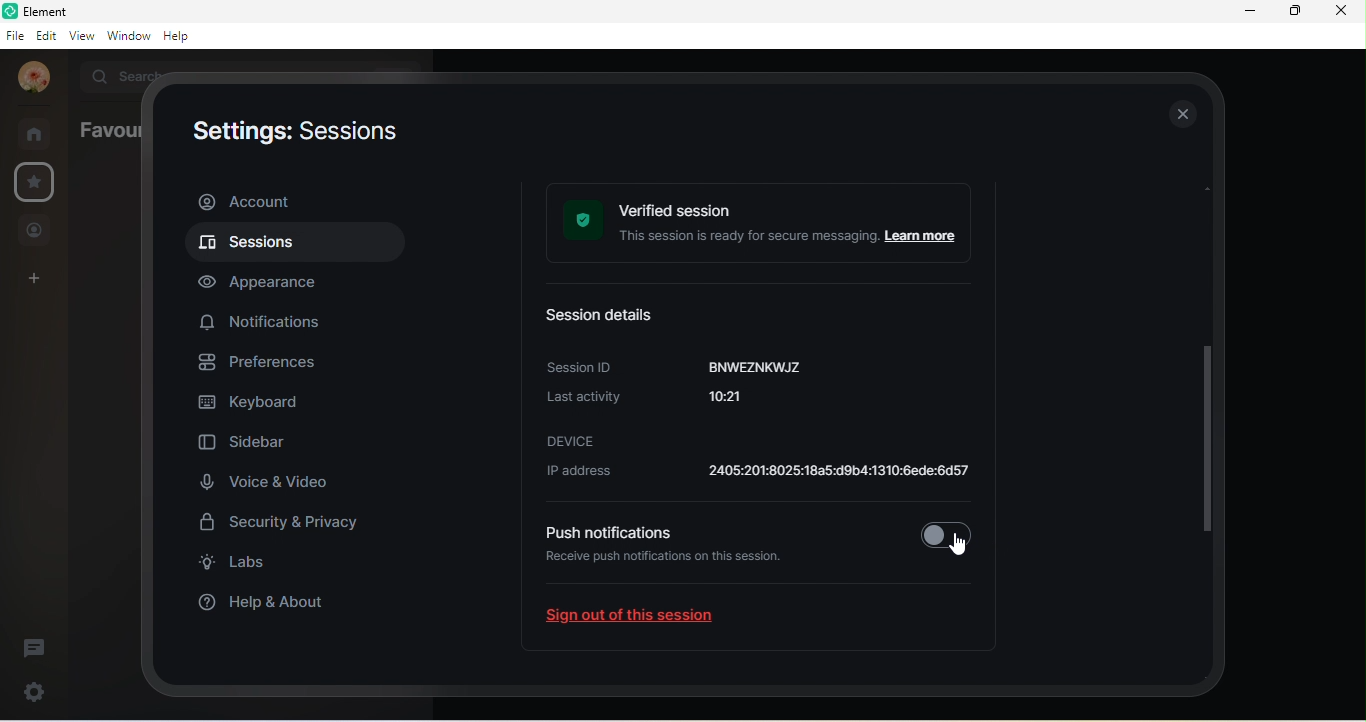 The image size is (1366, 722). Describe the element at coordinates (1293, 10) in the screenshot. I see `maximize` at that location.